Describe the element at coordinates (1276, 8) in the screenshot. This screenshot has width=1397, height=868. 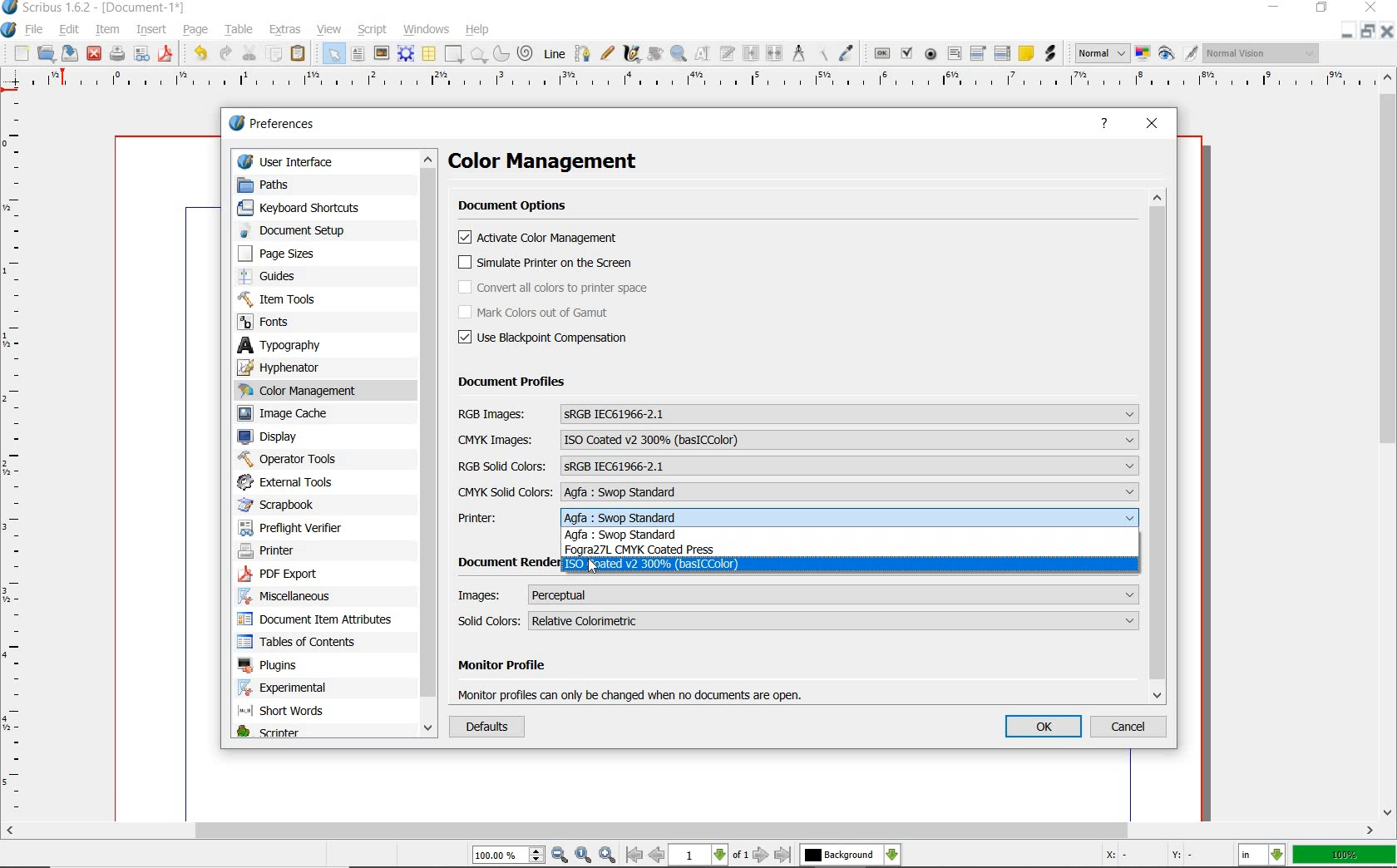
I see `minimize` at that location.